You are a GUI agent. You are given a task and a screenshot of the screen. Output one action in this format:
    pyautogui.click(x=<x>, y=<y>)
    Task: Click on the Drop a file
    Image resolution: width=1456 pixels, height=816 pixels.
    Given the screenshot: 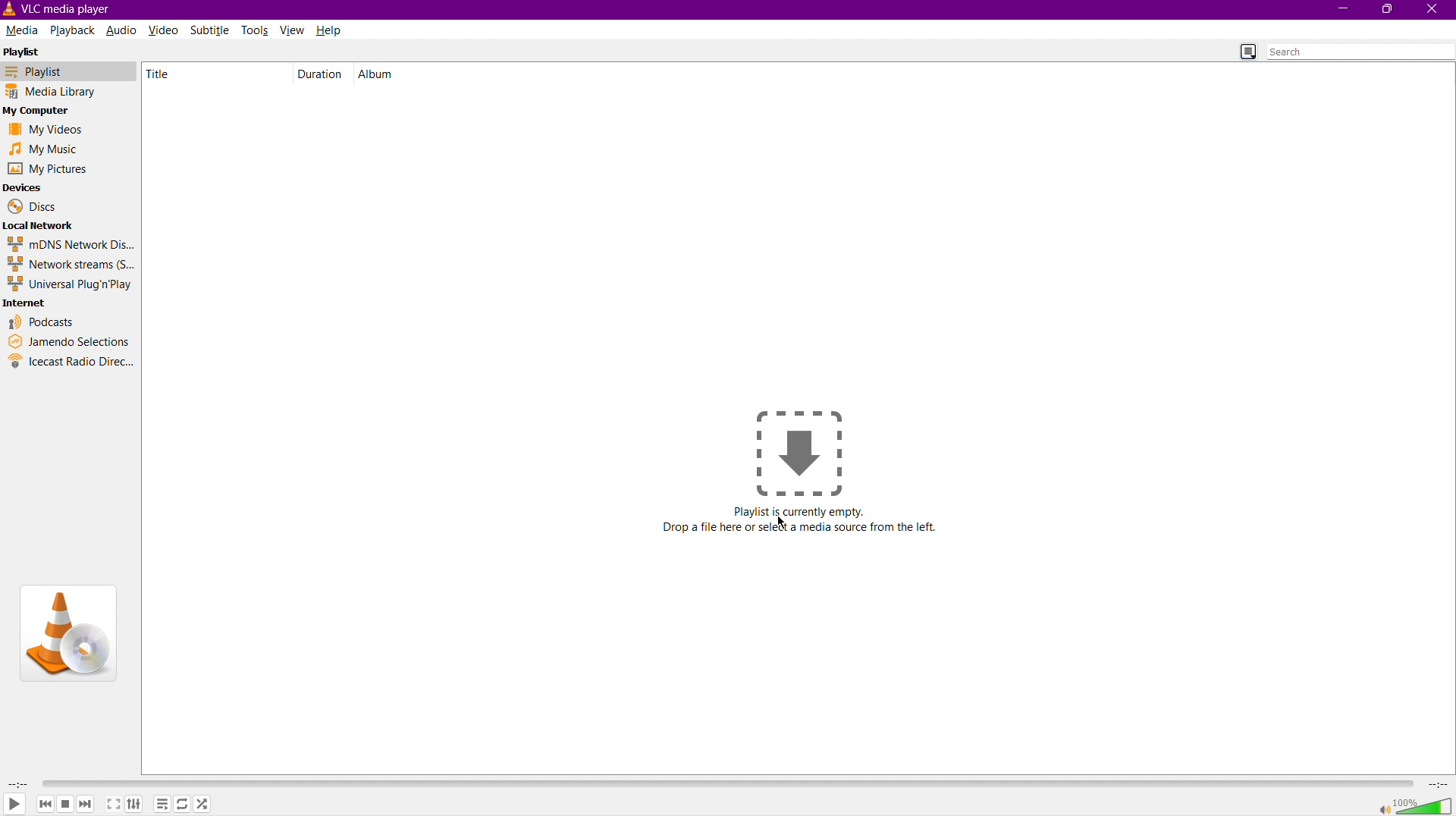 What is the action you would take?
    pyautogui.click(x=799, y=452)
    